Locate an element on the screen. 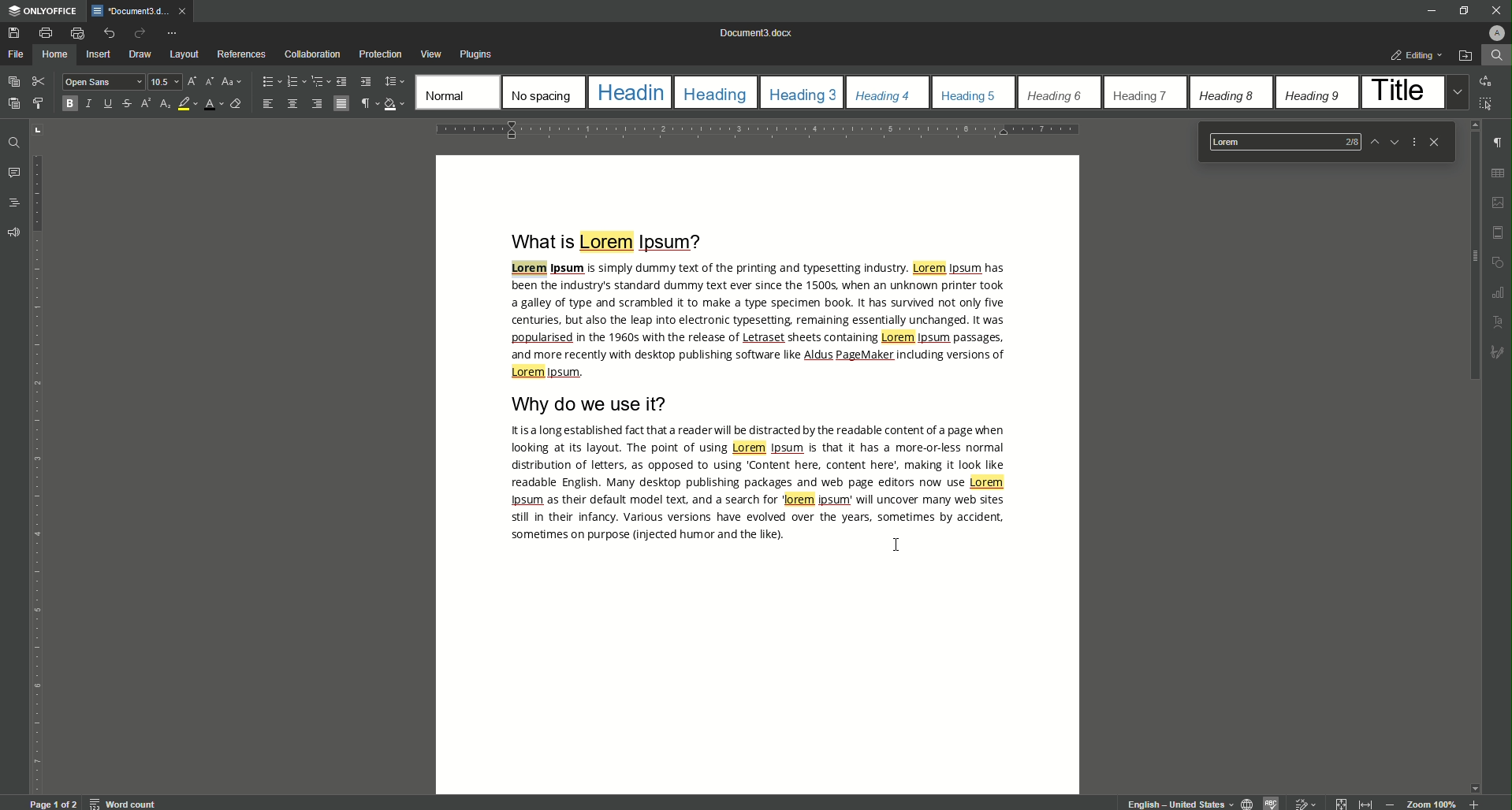 This screenshot has height=810, width=1512. Replace is located at coordinates (1488, 80).